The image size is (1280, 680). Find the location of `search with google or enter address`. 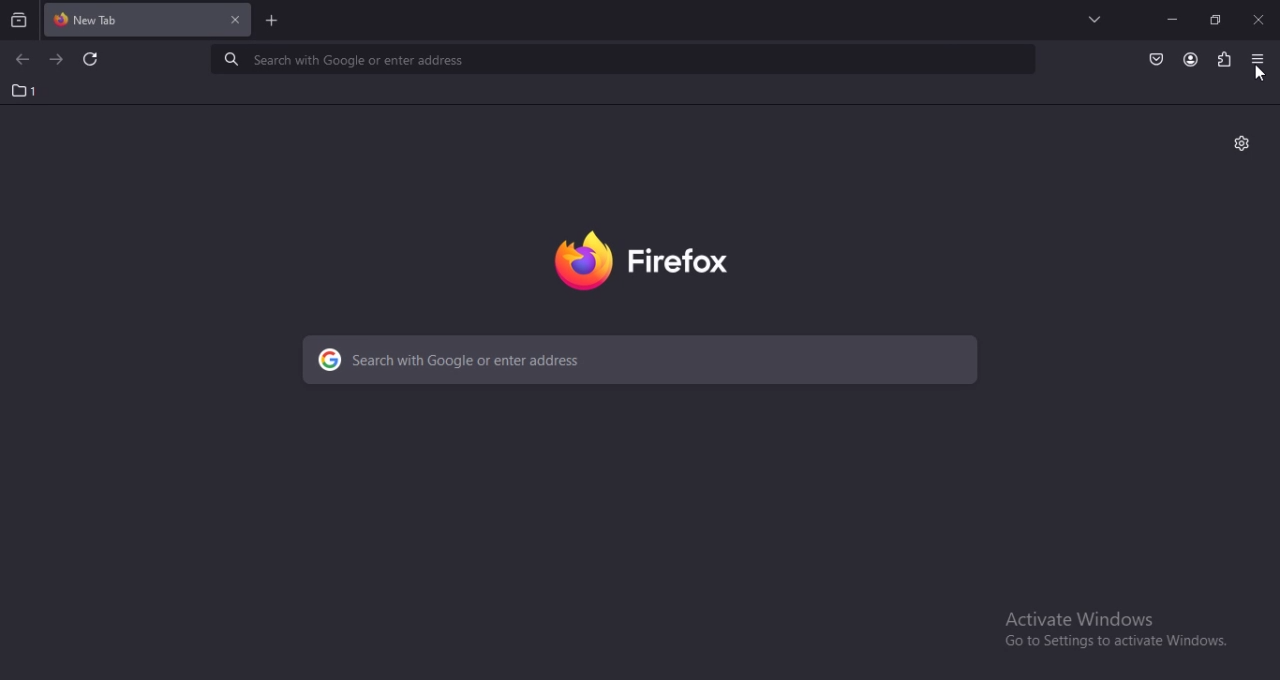

search with google or enter address is located at coordinates (623, 59).